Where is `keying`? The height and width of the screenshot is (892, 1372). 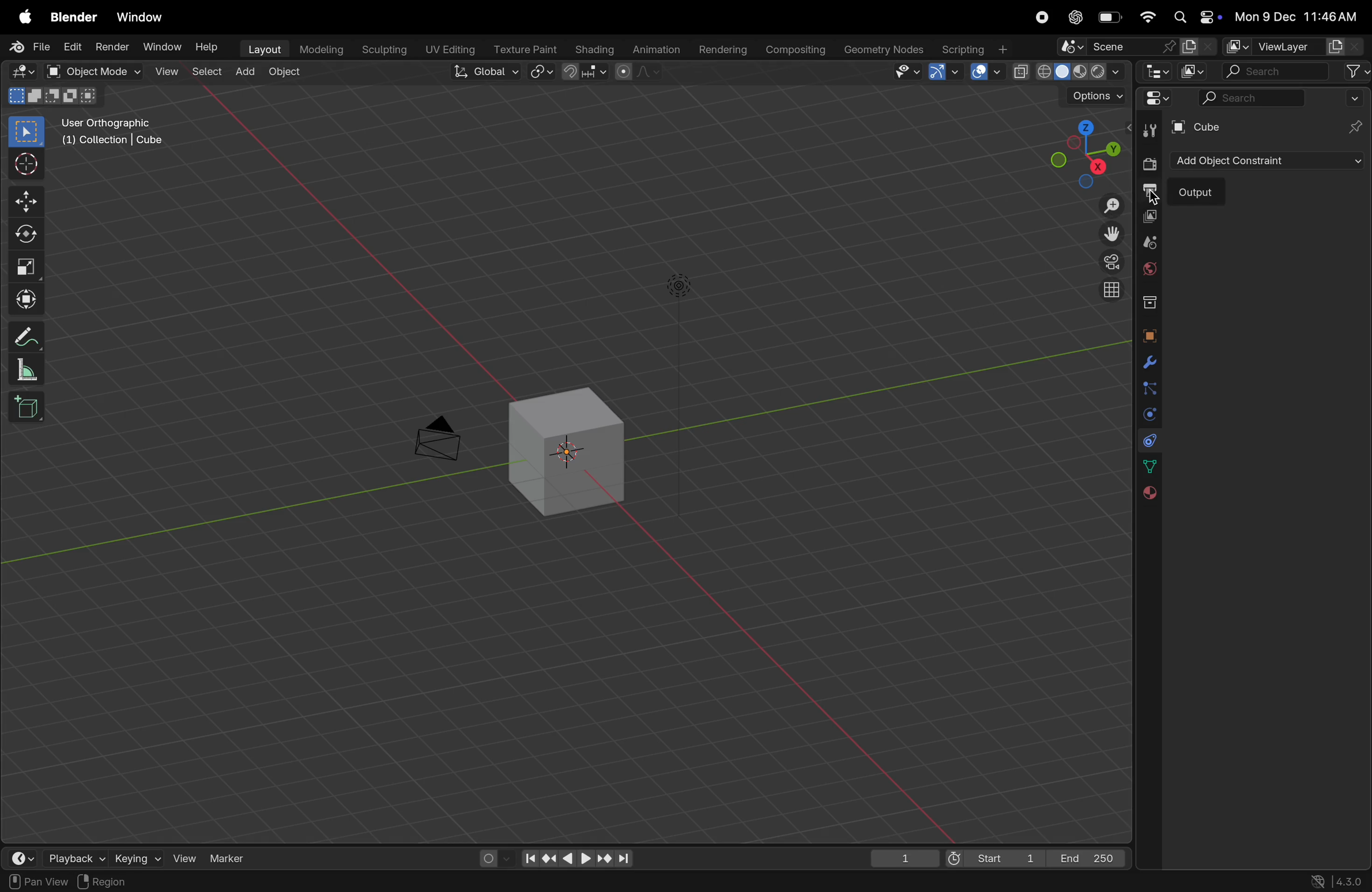 keying is located at coordinates (137, 857).